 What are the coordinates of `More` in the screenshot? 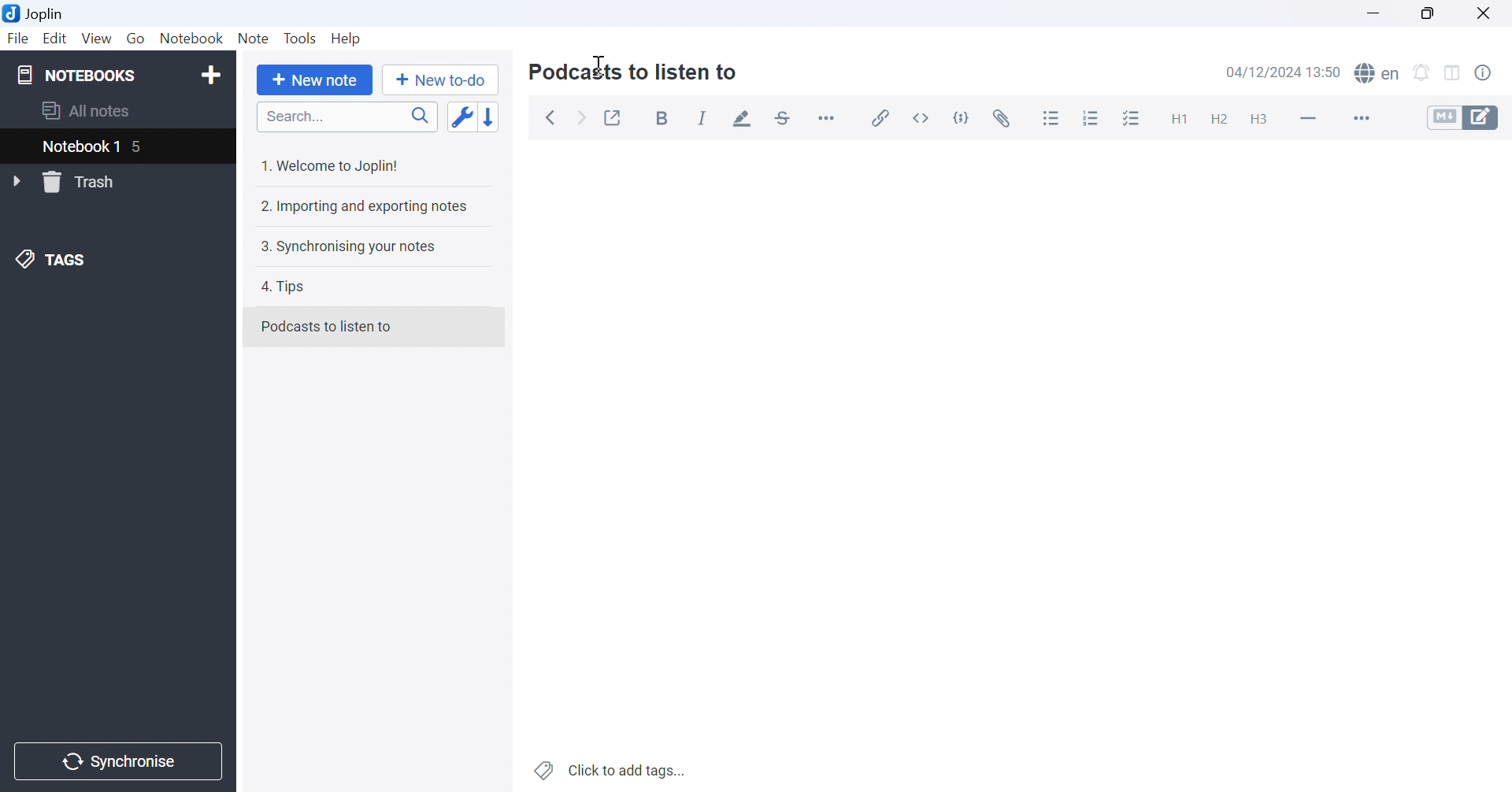 It's located at (1359, 117).